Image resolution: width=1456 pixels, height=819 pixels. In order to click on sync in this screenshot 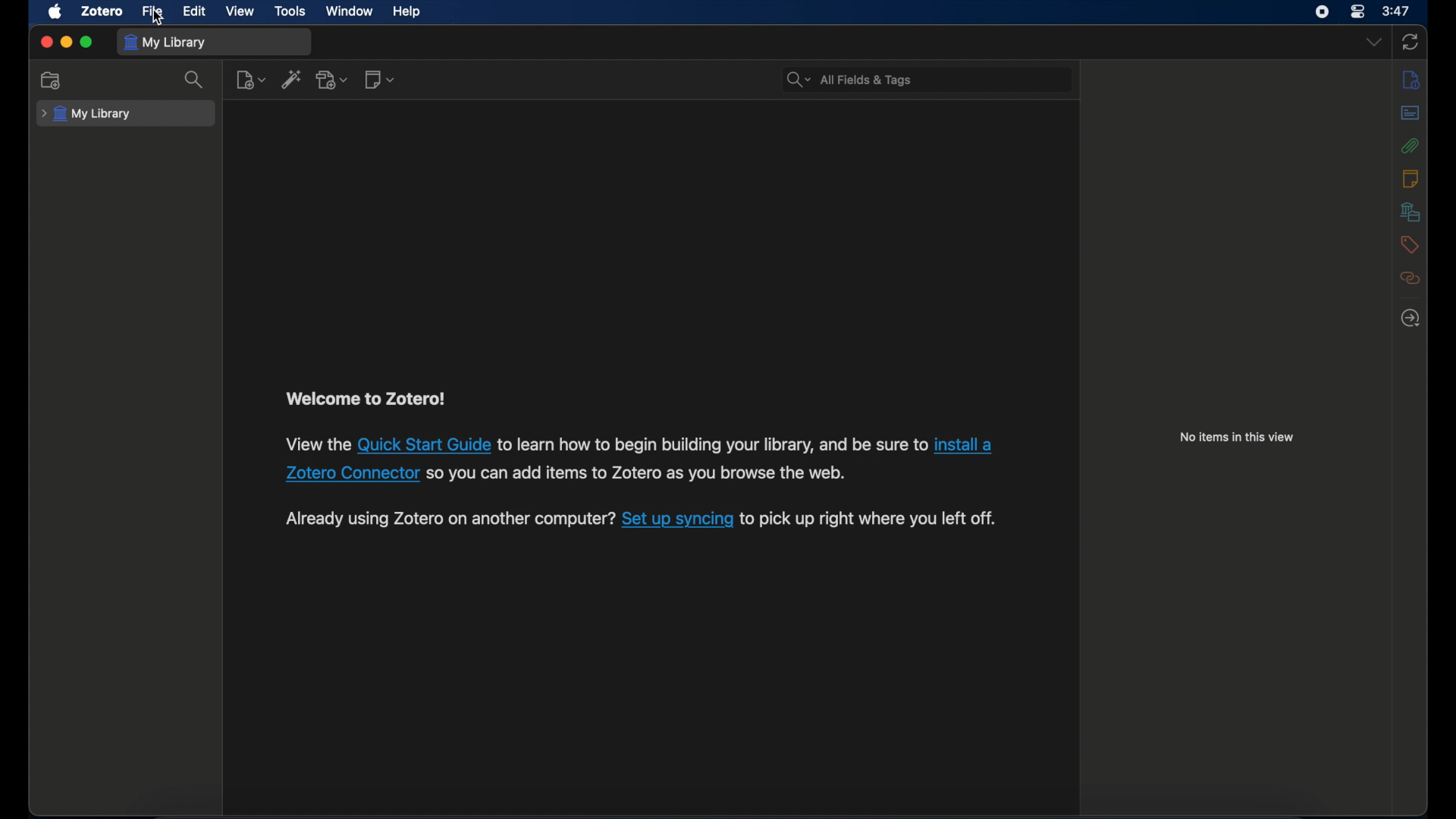, I will do `click(1411, 42)`.